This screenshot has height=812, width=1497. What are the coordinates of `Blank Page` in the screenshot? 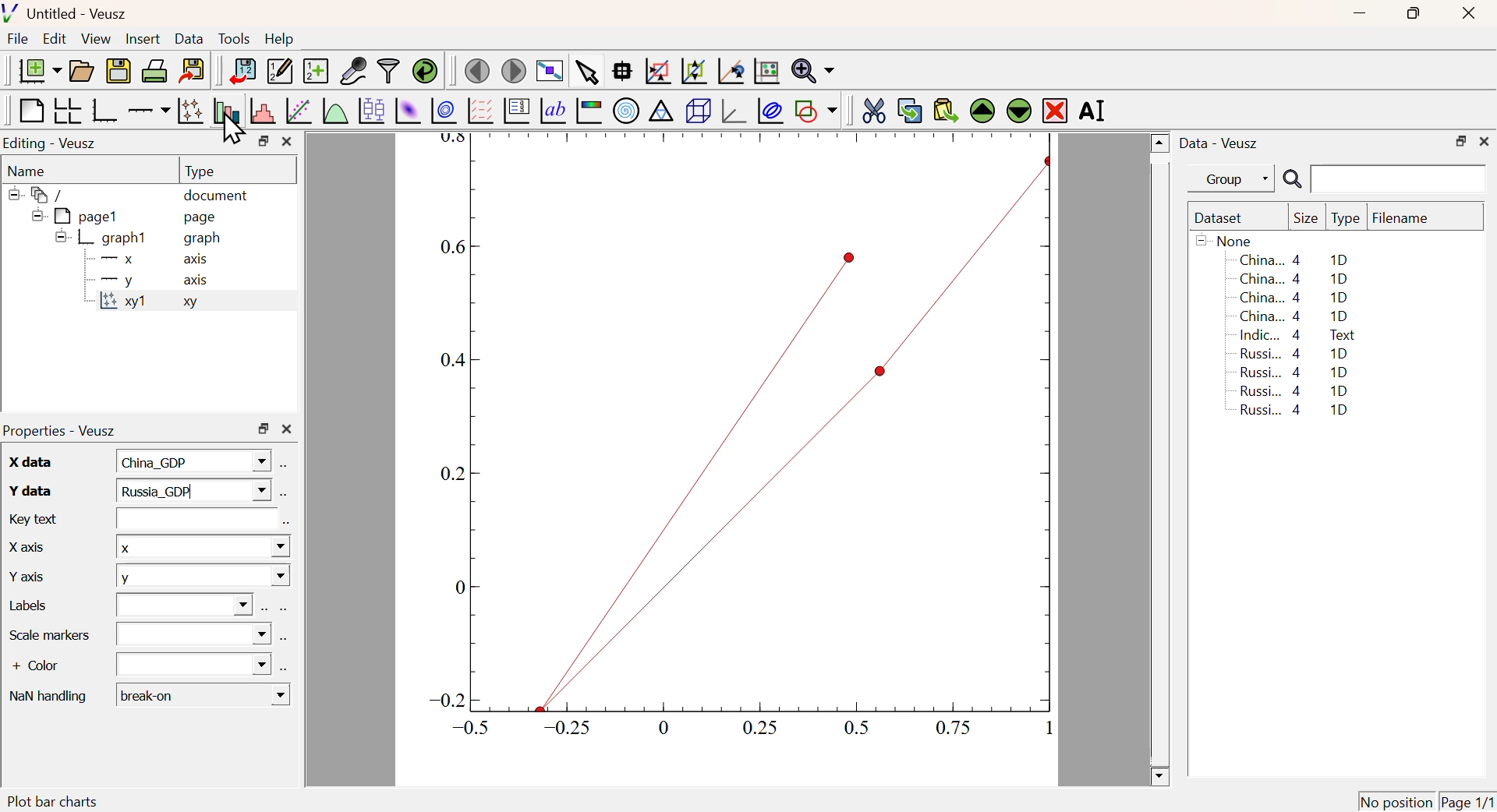 It's located at (30, 111).